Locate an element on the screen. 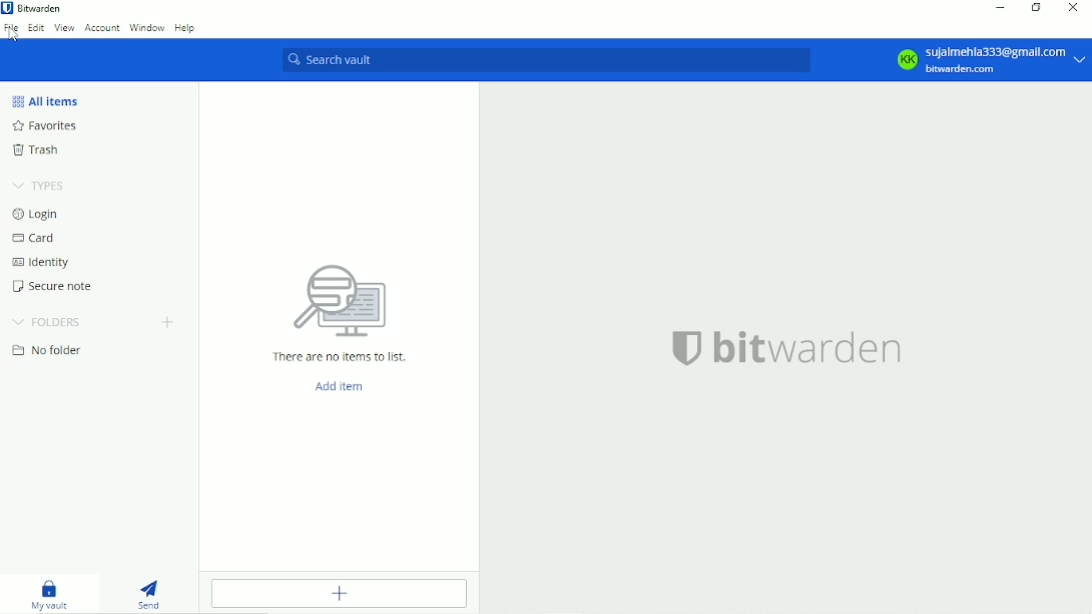  Identity is located at coordinates (51, 260).